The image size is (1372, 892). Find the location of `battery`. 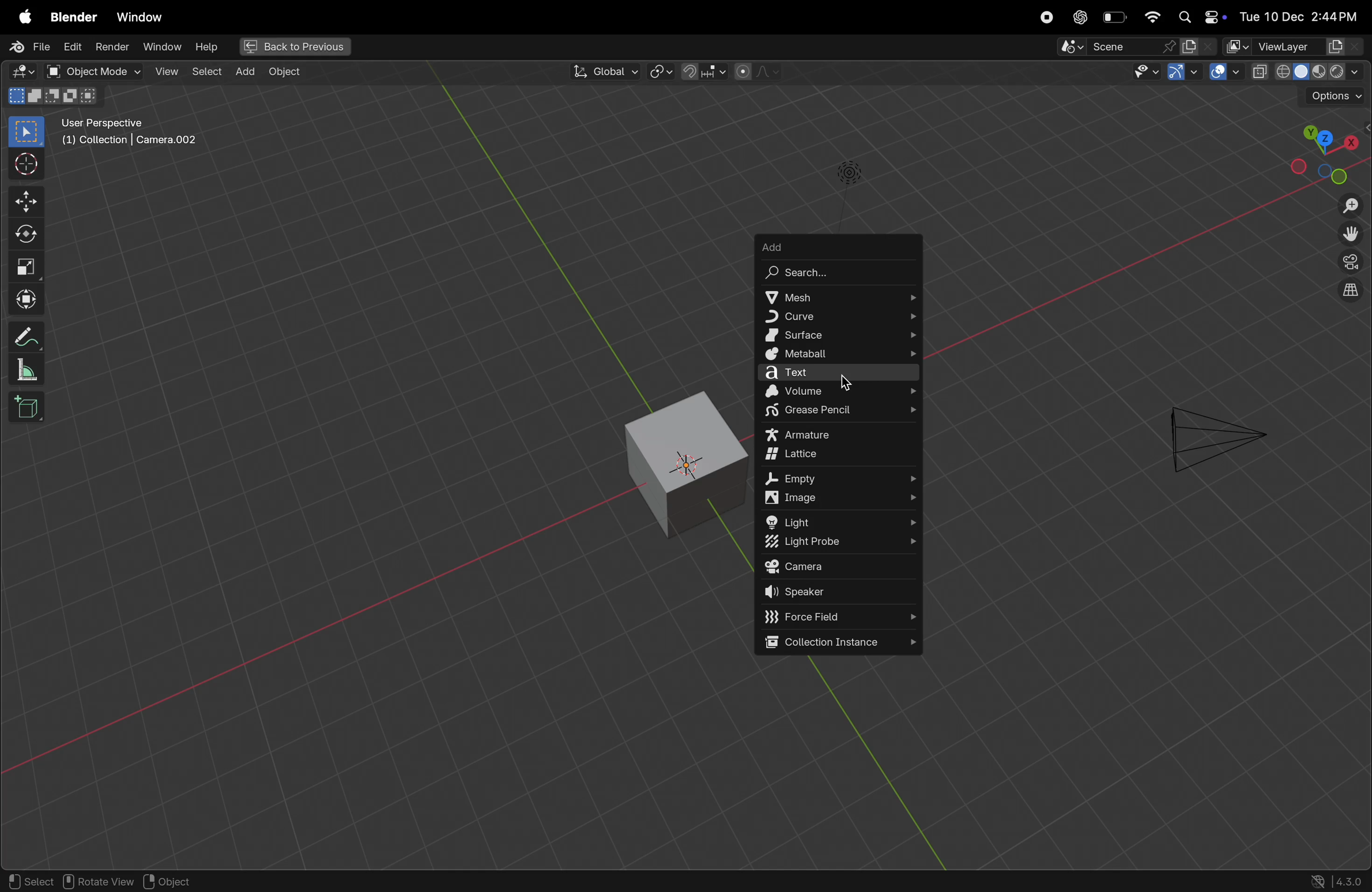

battery is located at coordinates (1115, 17).